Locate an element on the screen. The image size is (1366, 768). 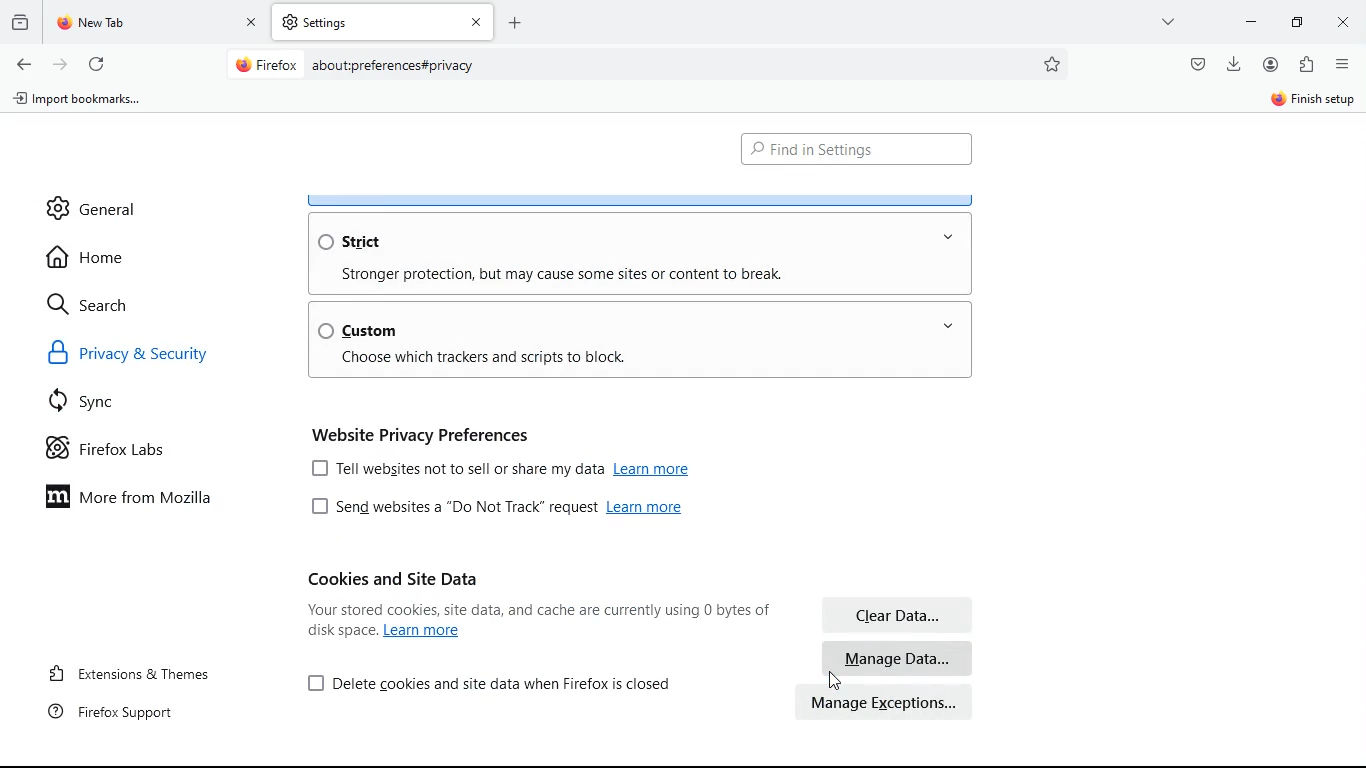
search is located at coordinates (100, 304).